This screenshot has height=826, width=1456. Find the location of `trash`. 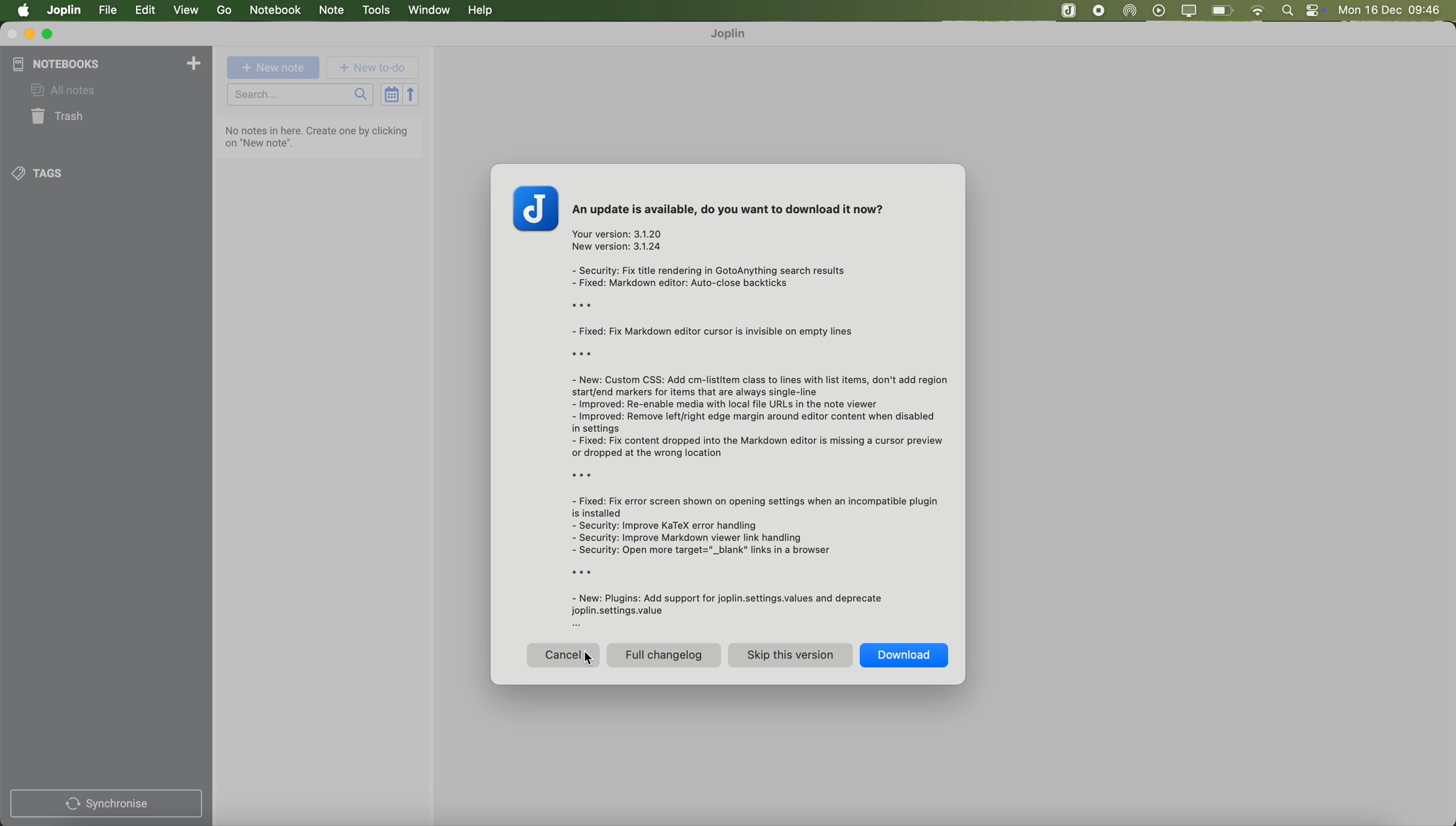

trash is located at coordinates (60, 117).